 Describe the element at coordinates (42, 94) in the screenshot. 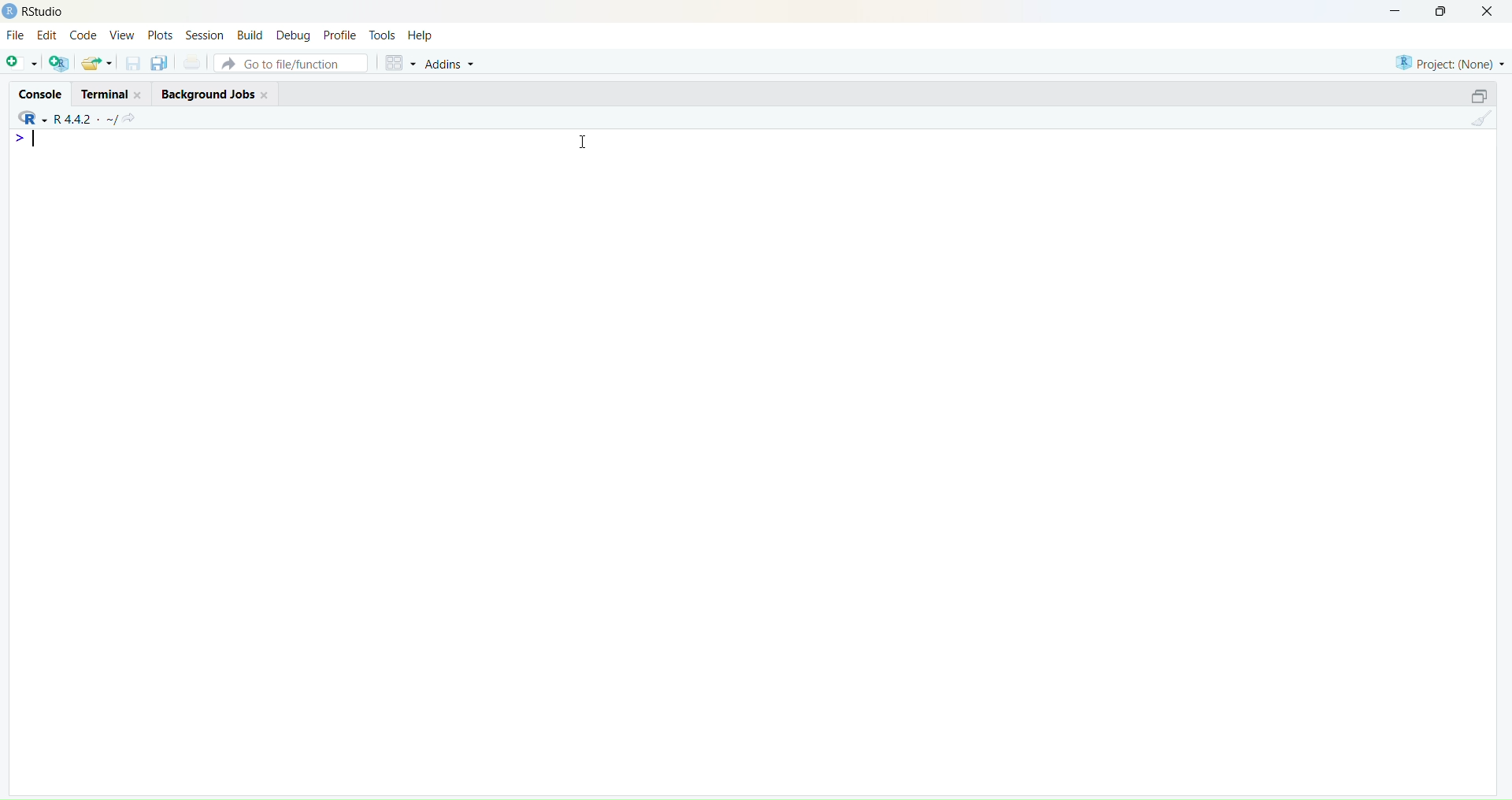

I see `console` at that location.